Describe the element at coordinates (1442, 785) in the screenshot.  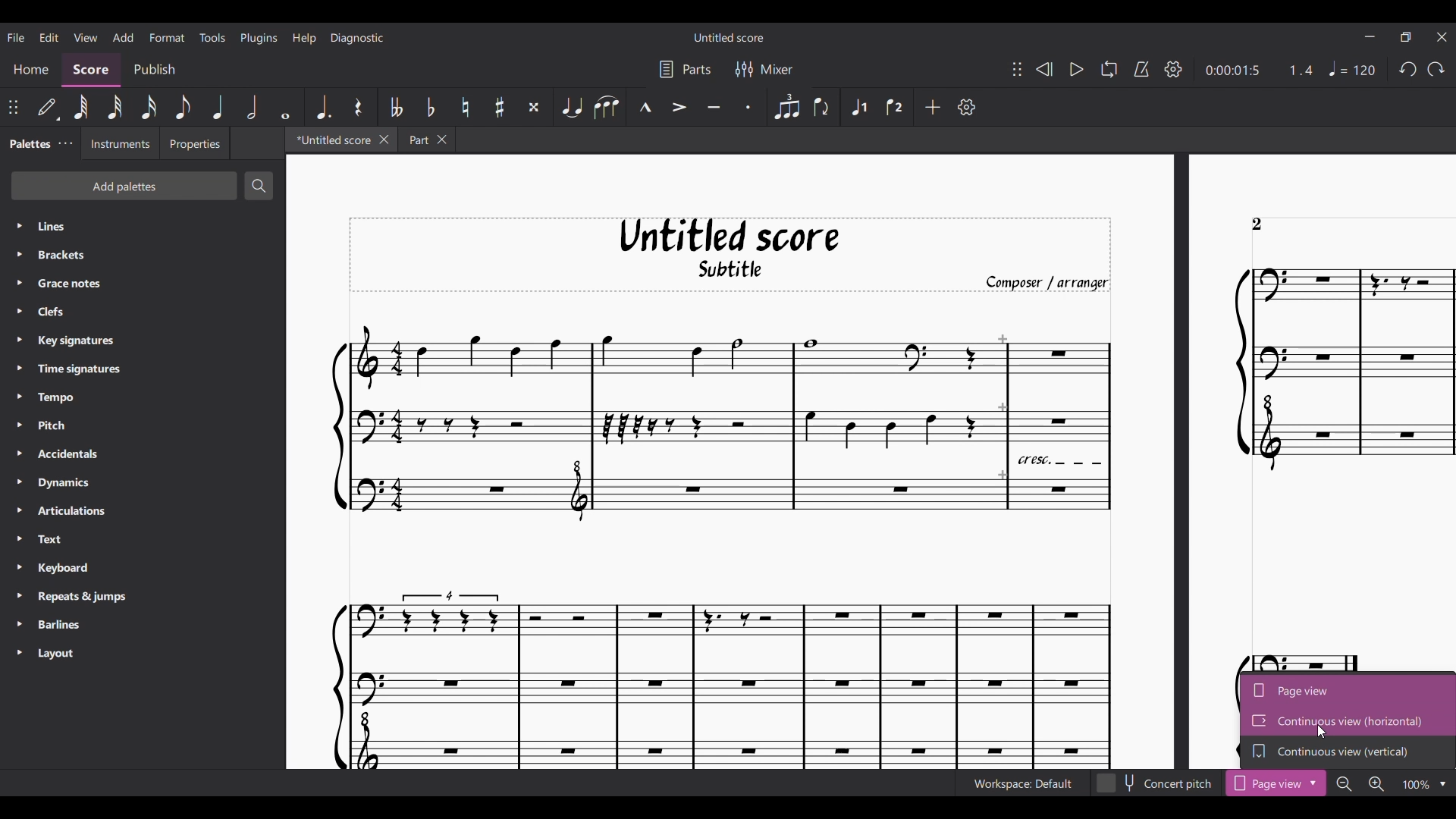
I see `Zoom options ` at that location.